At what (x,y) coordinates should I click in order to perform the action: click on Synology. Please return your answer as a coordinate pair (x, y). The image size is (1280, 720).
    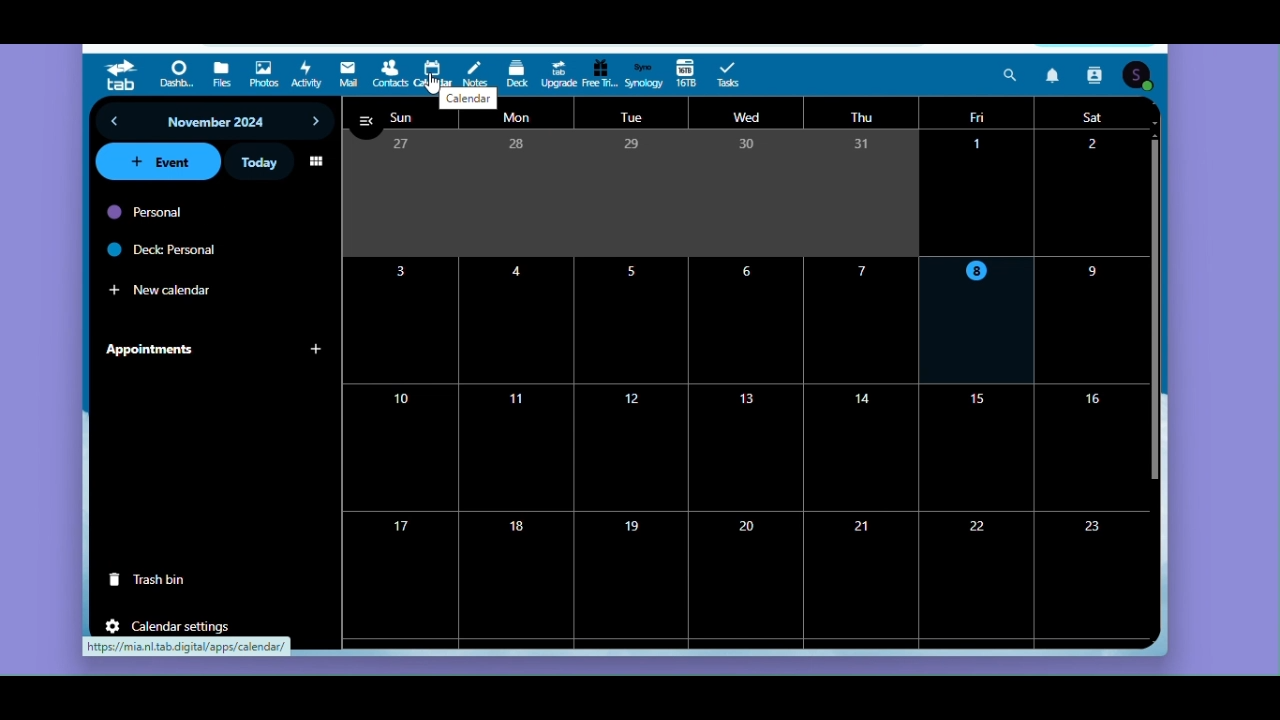
    Looking at the image, I should click on (643, 74).